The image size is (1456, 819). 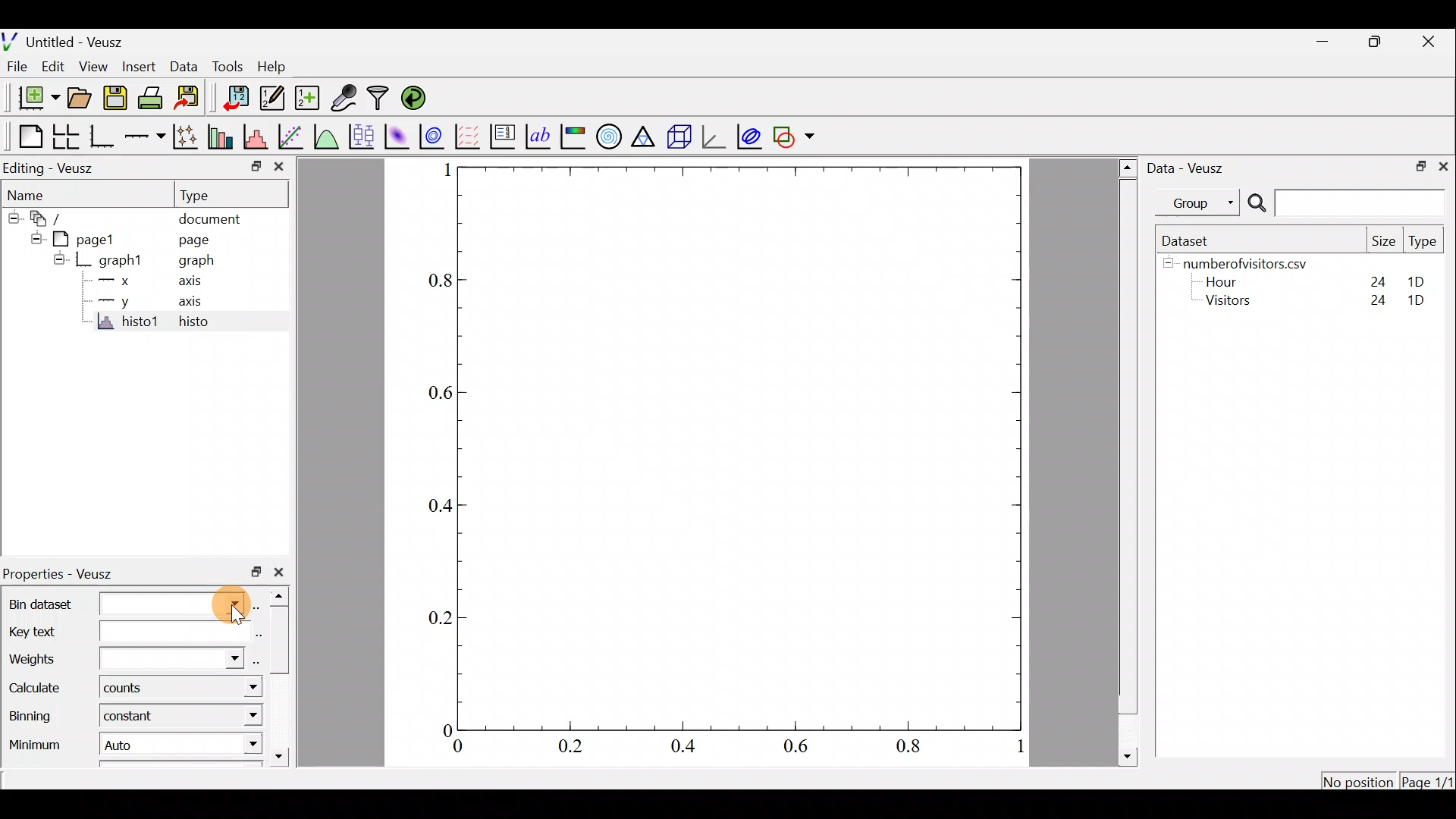 What do you see at coordinates (94, 66) in the screenshot?
I see `View` at bounding box center [94, 66].